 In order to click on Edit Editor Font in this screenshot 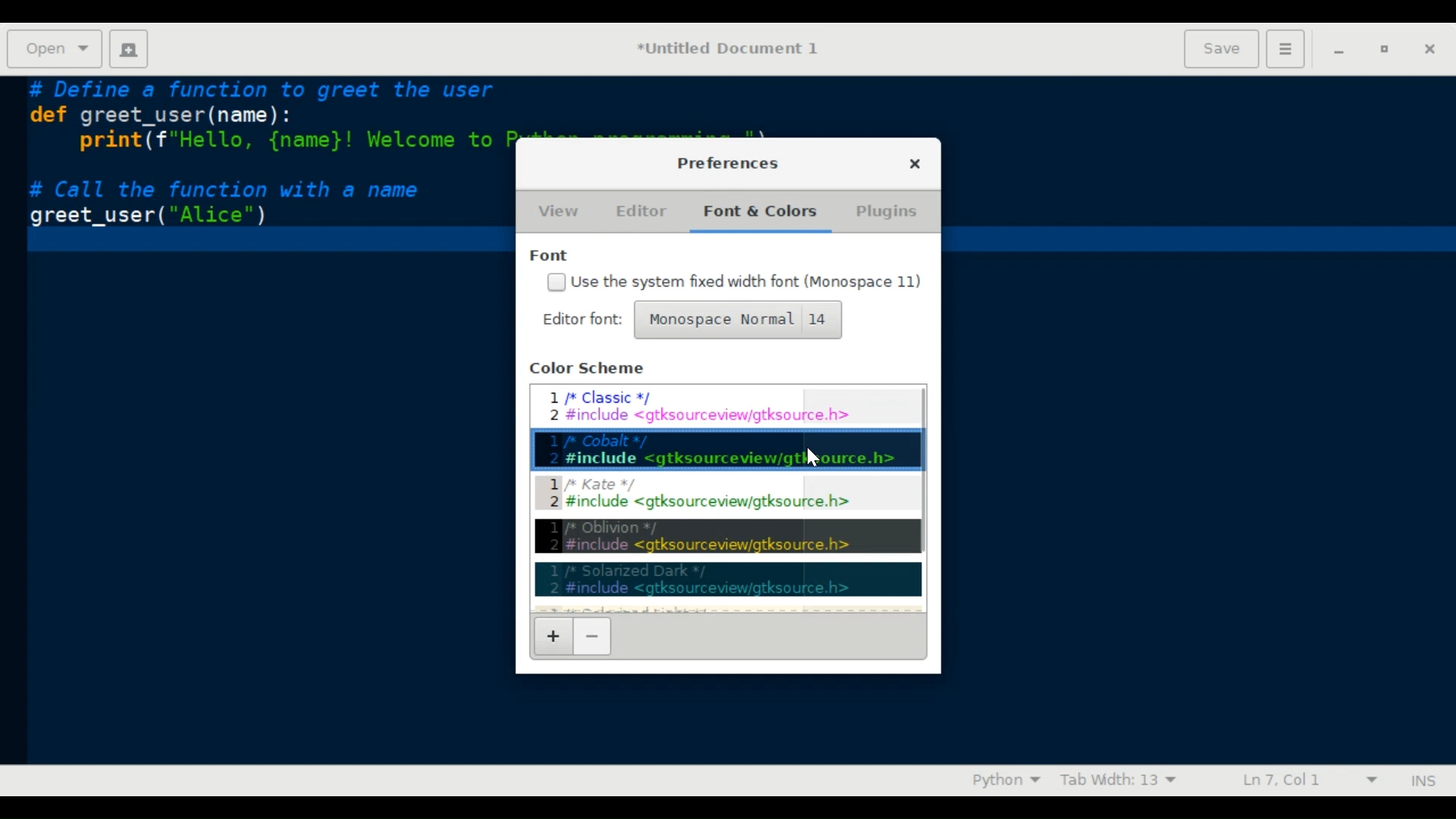, I will do `click(582, 319)`.